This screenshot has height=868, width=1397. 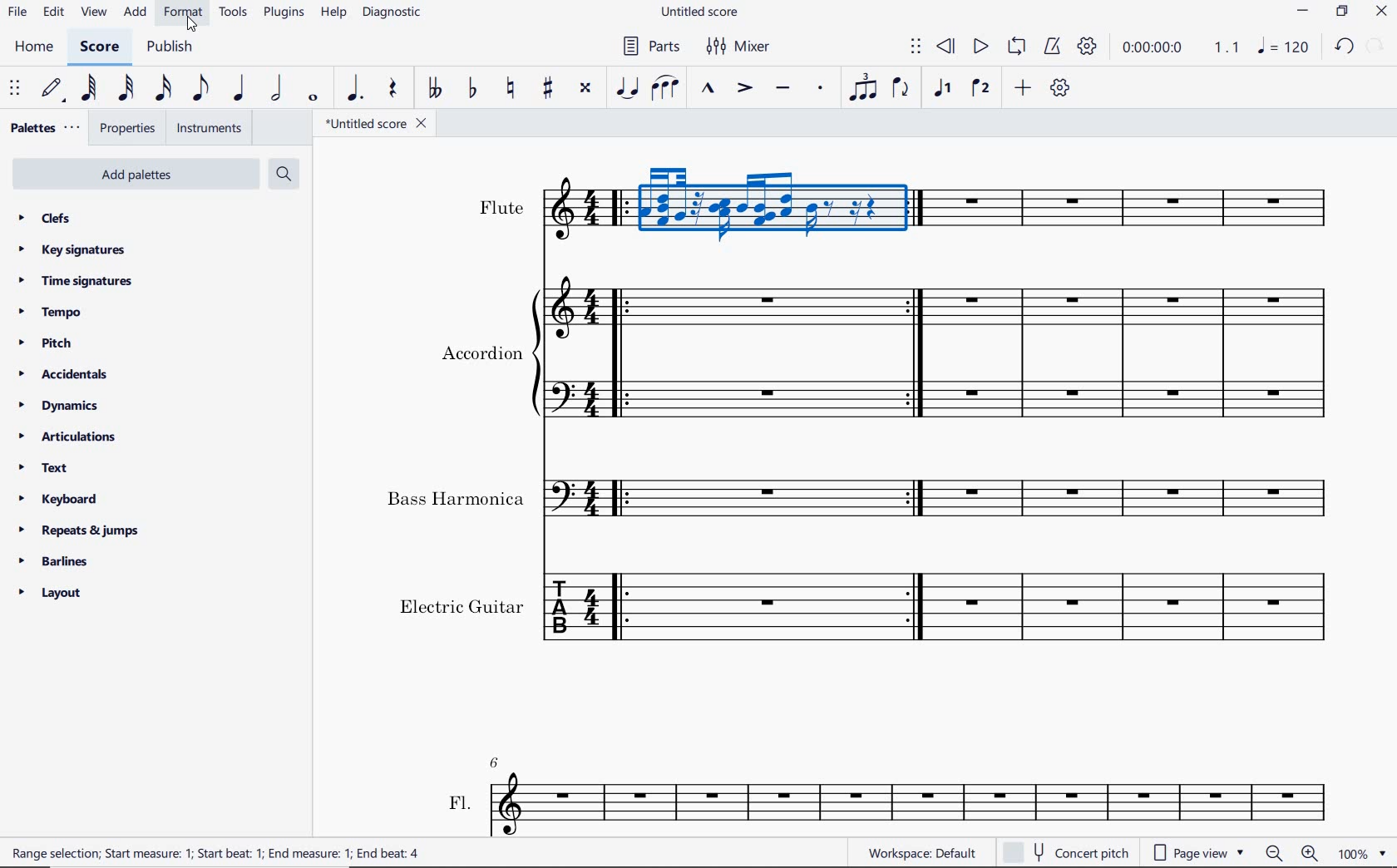 I want to click on page view, so click(x=1197, y=851).